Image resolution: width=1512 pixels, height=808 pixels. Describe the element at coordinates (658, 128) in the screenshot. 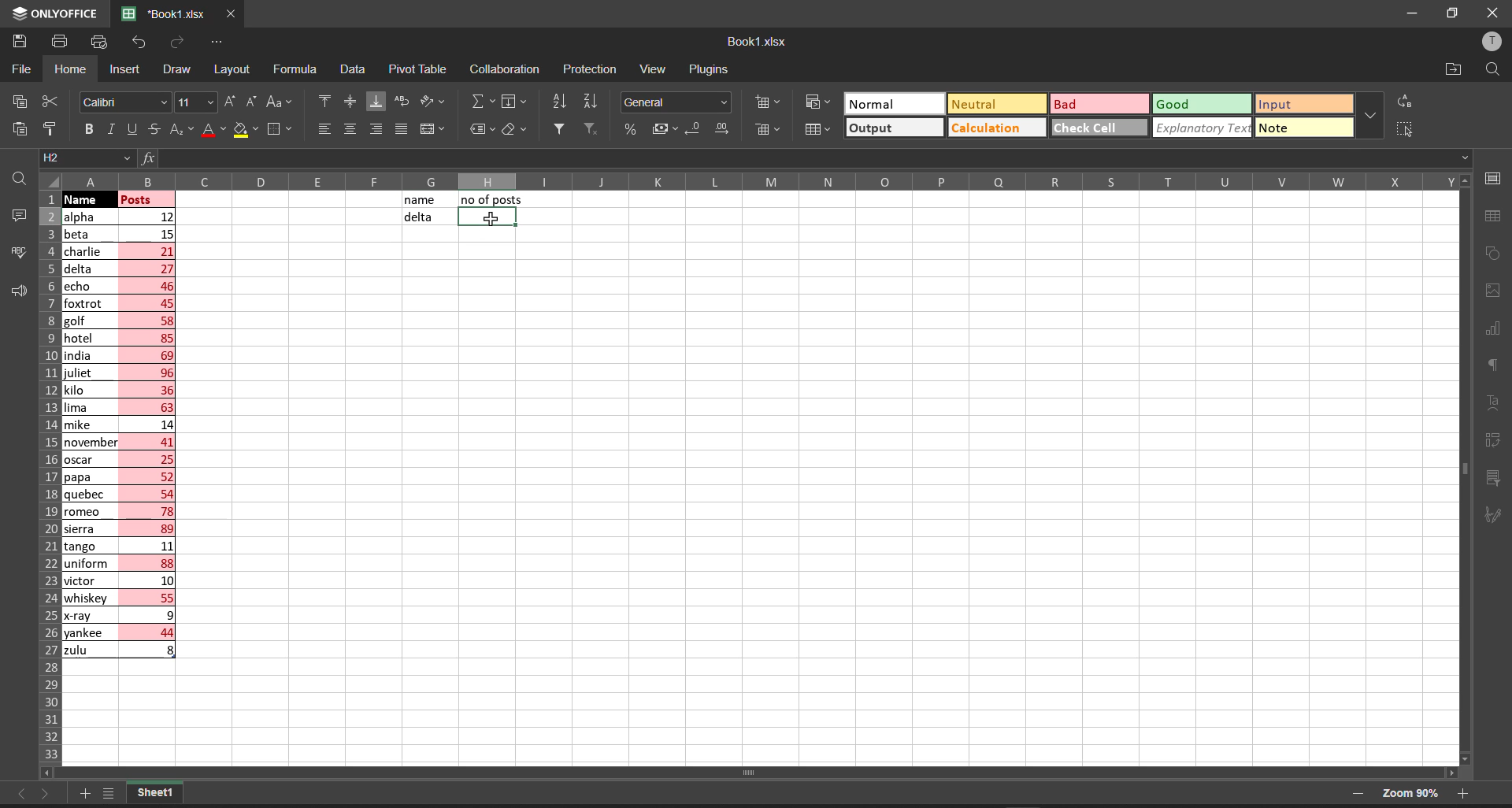

I see `accounting style` at that location.